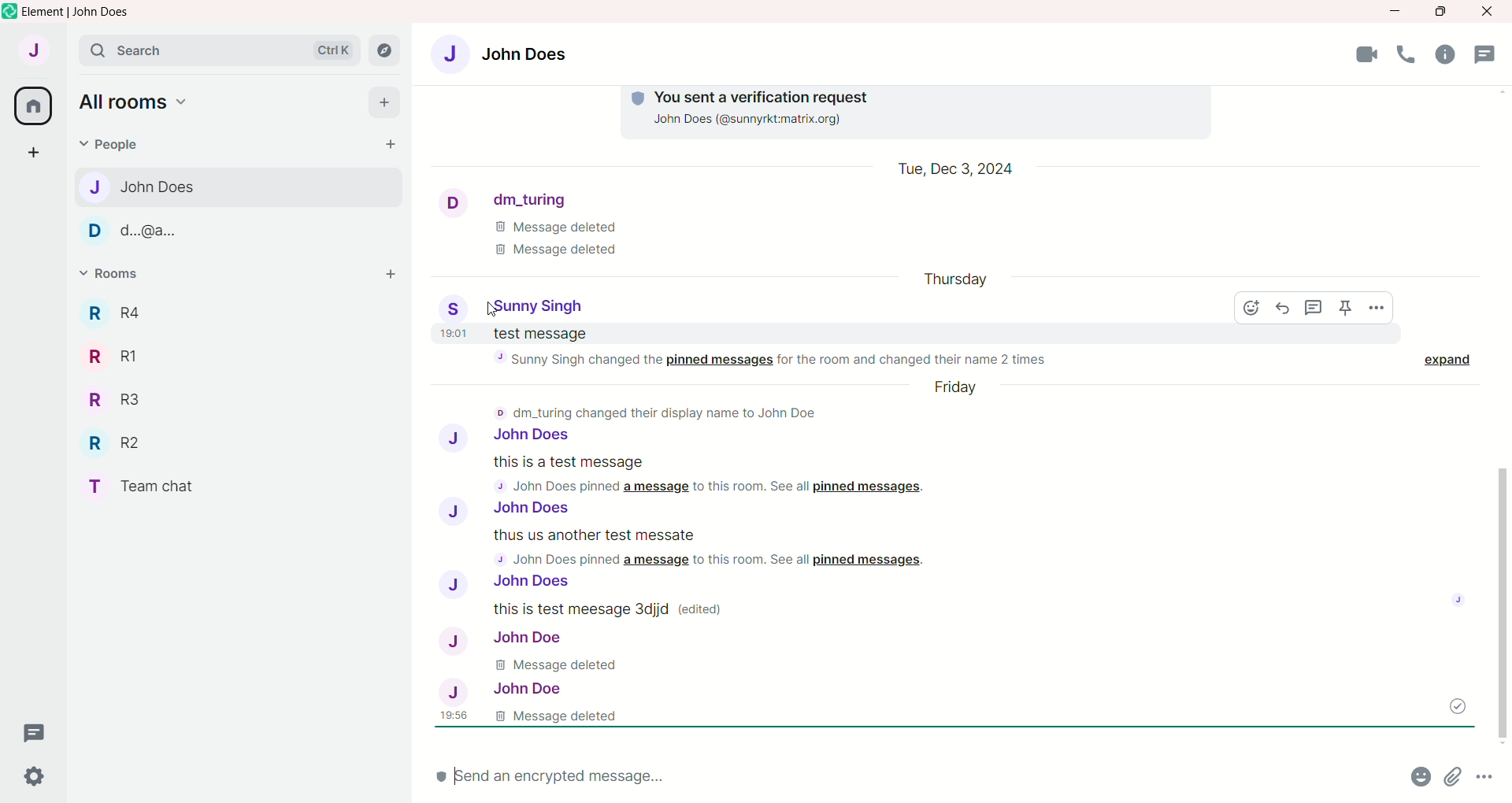  I want to click on R2, so click(120, 445).